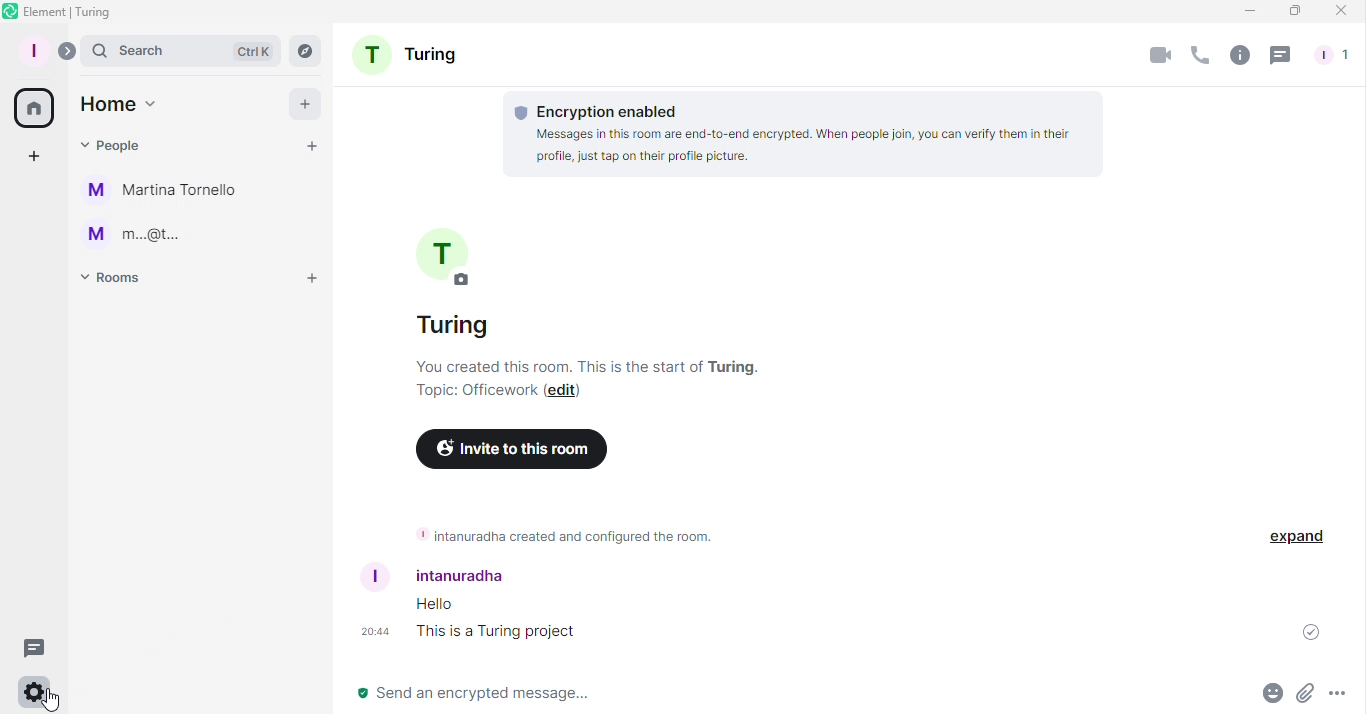 The image size is (1366, 714). I want to click on Quick settings, so click(31, 692).